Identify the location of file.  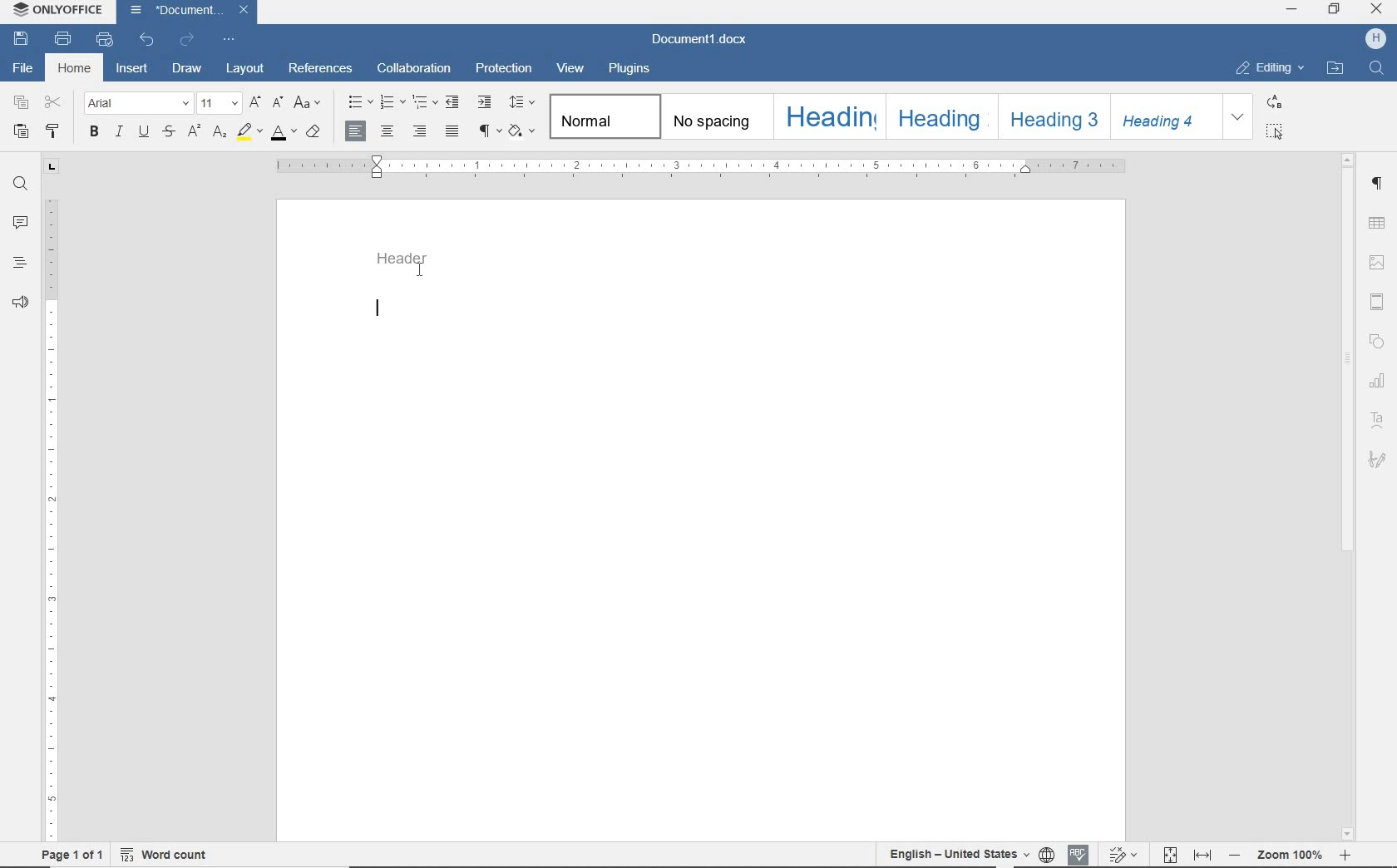
(20, 68).